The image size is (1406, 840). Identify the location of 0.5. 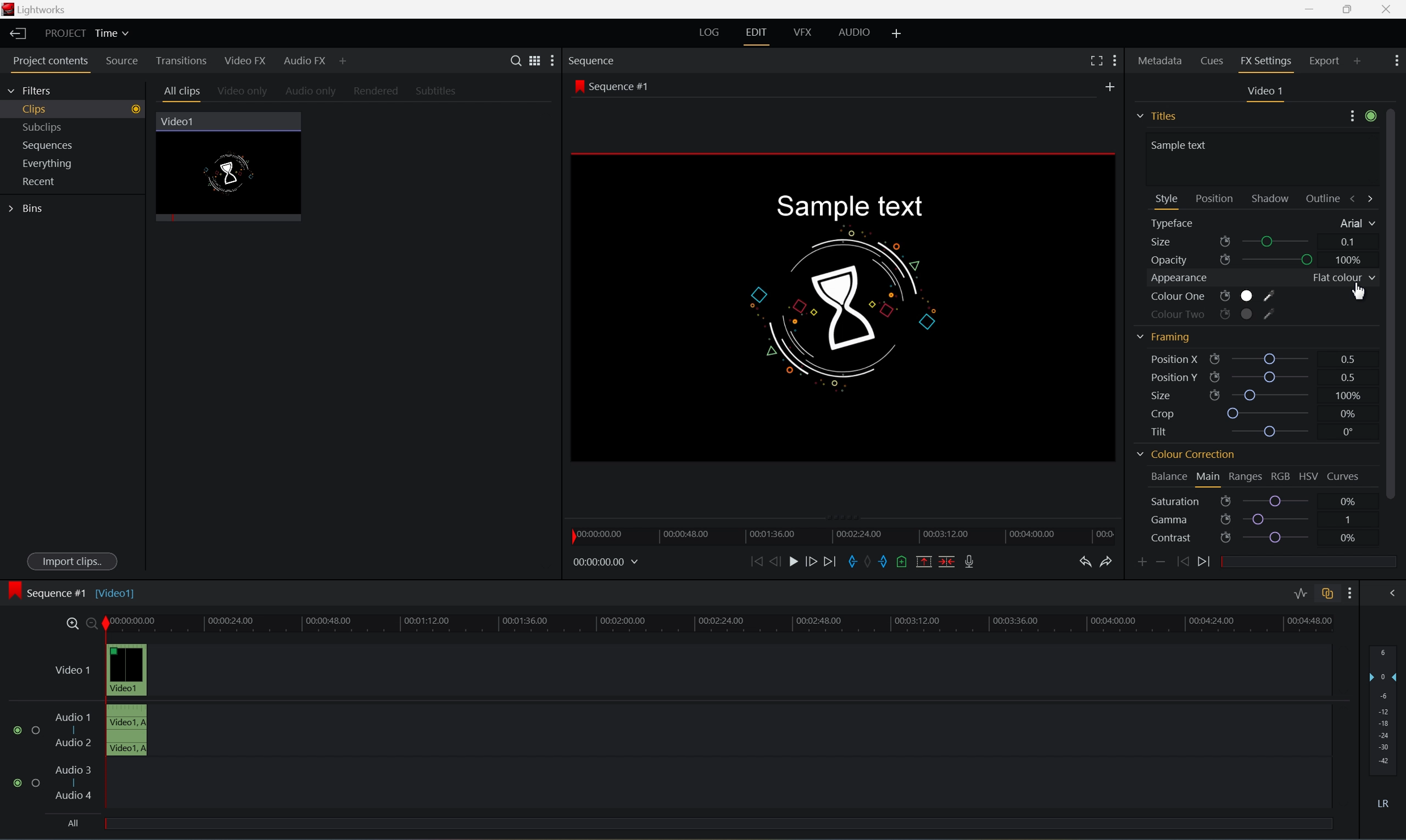
(1345, 375).